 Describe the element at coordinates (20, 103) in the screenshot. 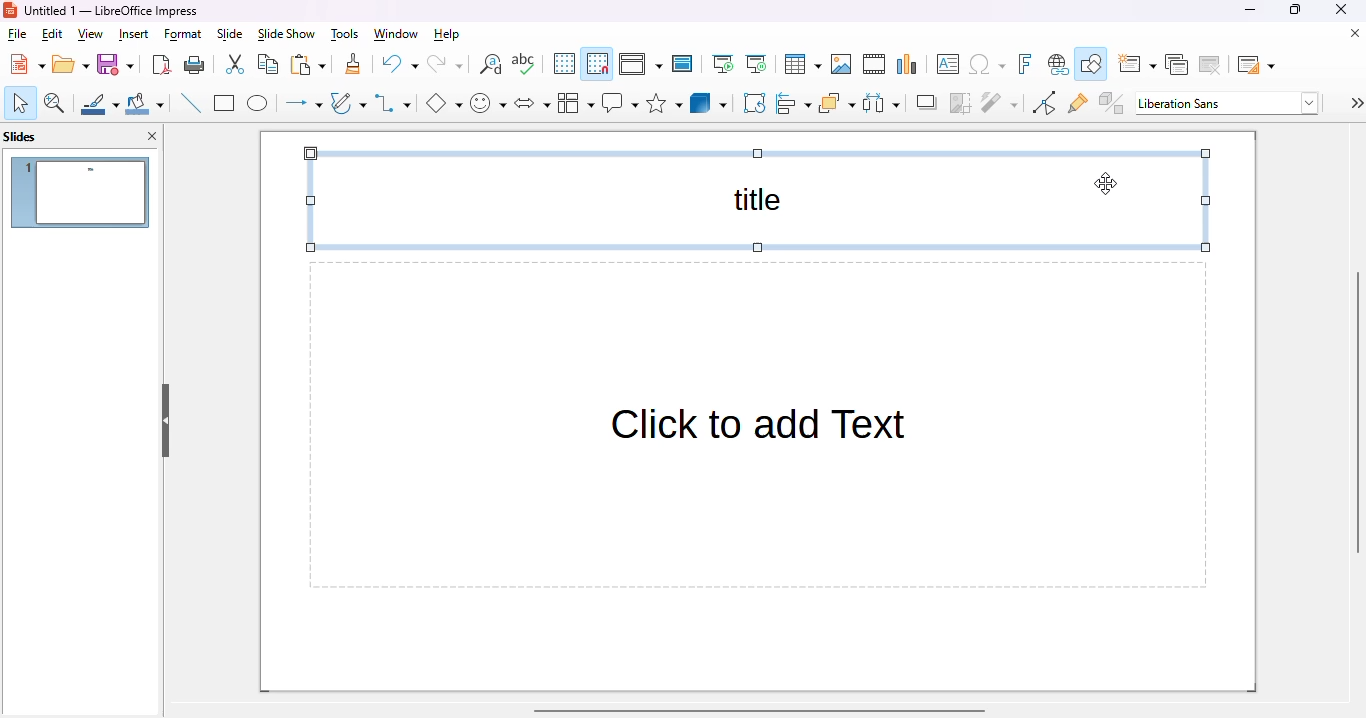

I see `select` at that location.